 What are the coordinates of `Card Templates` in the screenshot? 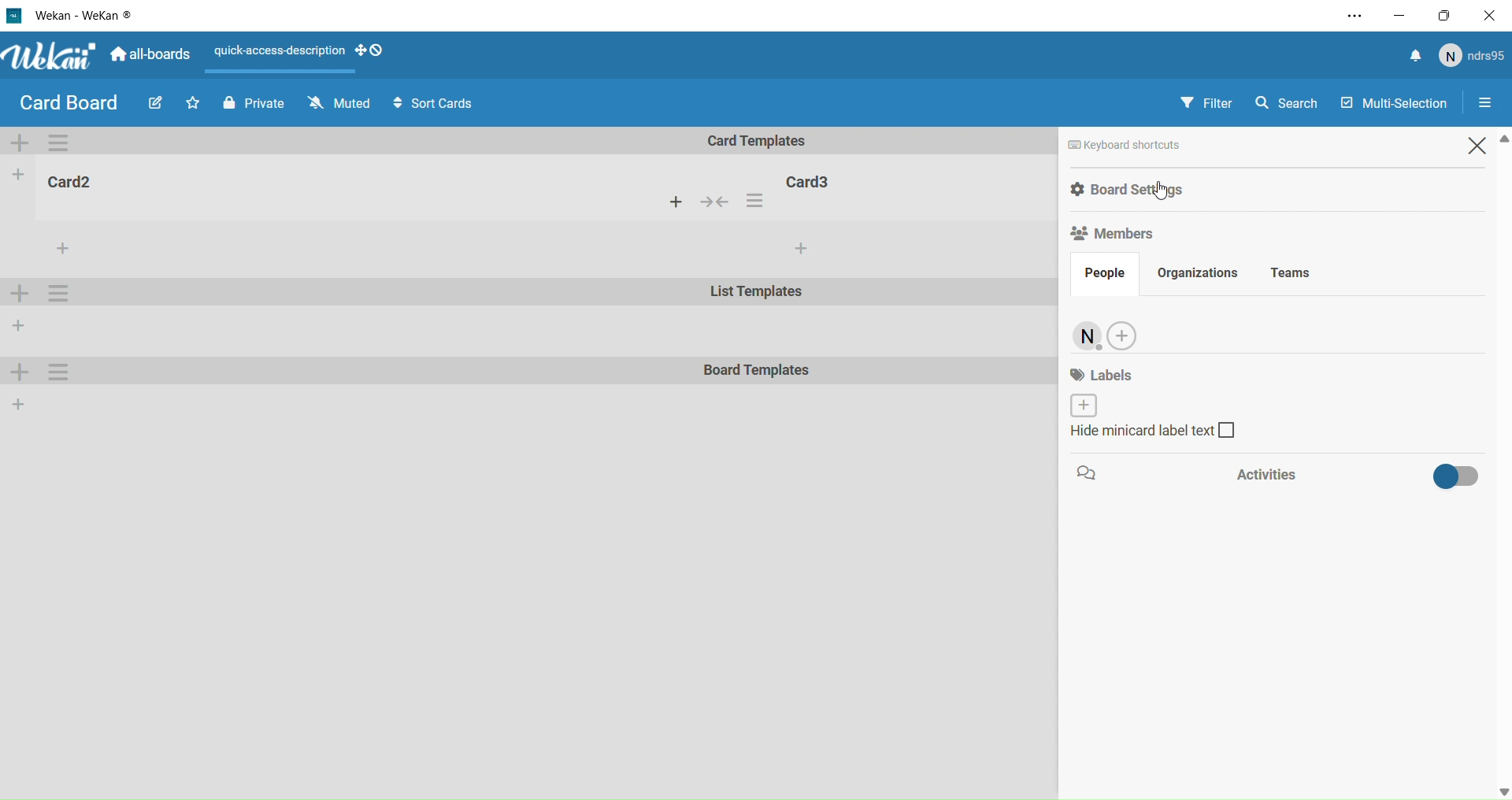 It's located at (768, 141).